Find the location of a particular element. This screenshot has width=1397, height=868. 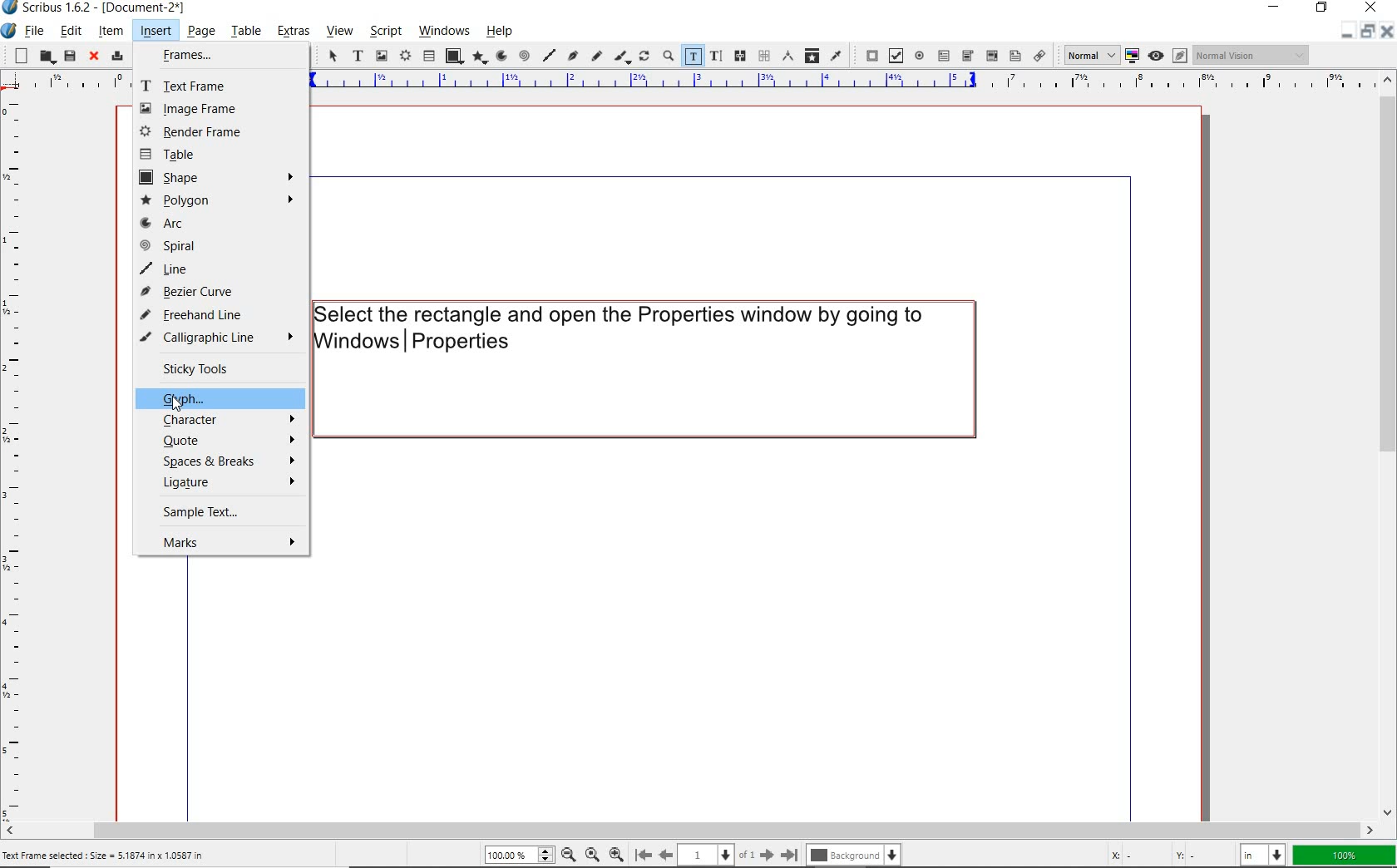

pdf push button is located at coordinates (867, 53).